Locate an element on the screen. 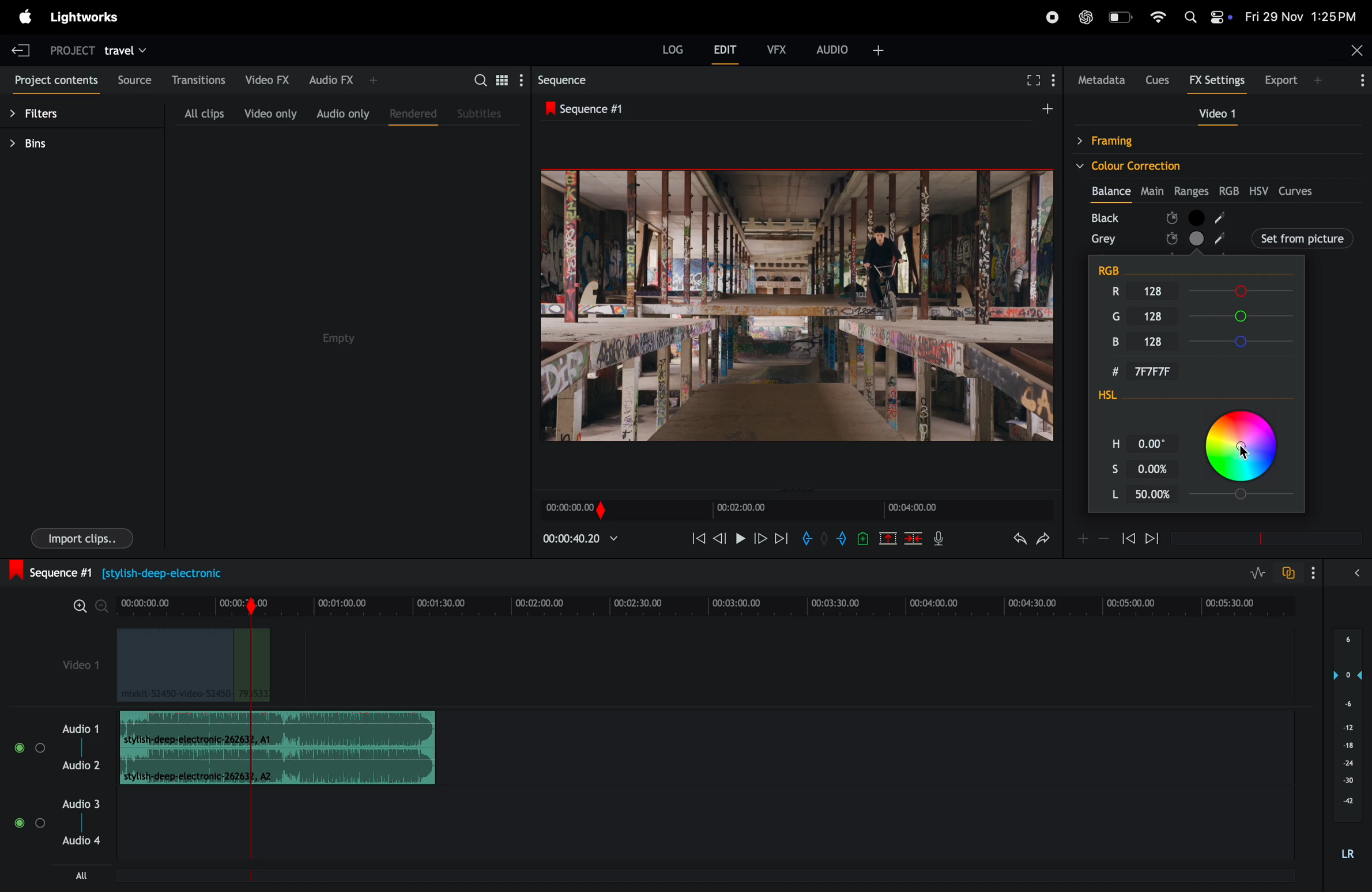  edit is located at coordinates (726, 53).